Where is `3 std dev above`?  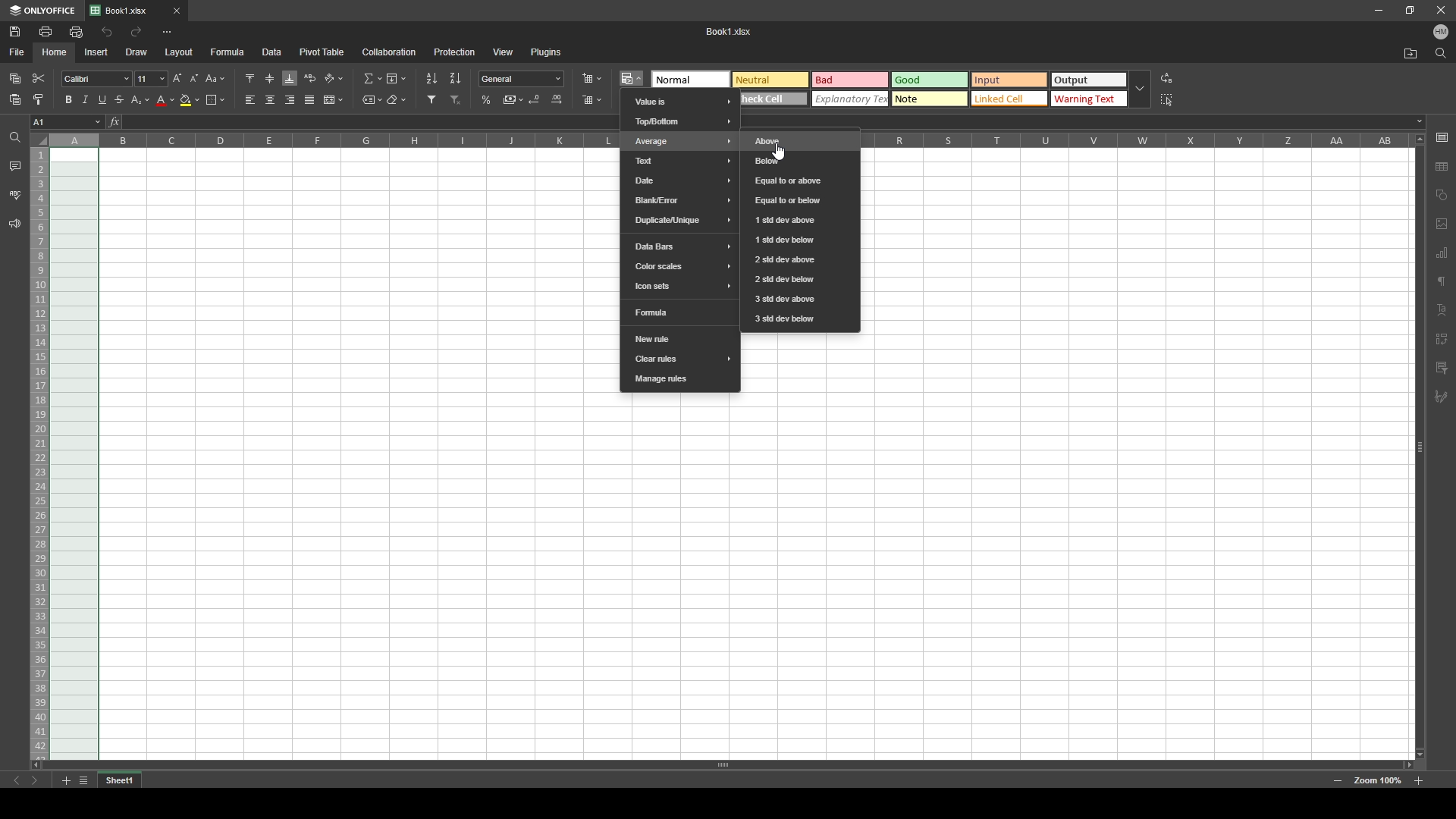 3 std dev above is located at coordinates (802, 300).